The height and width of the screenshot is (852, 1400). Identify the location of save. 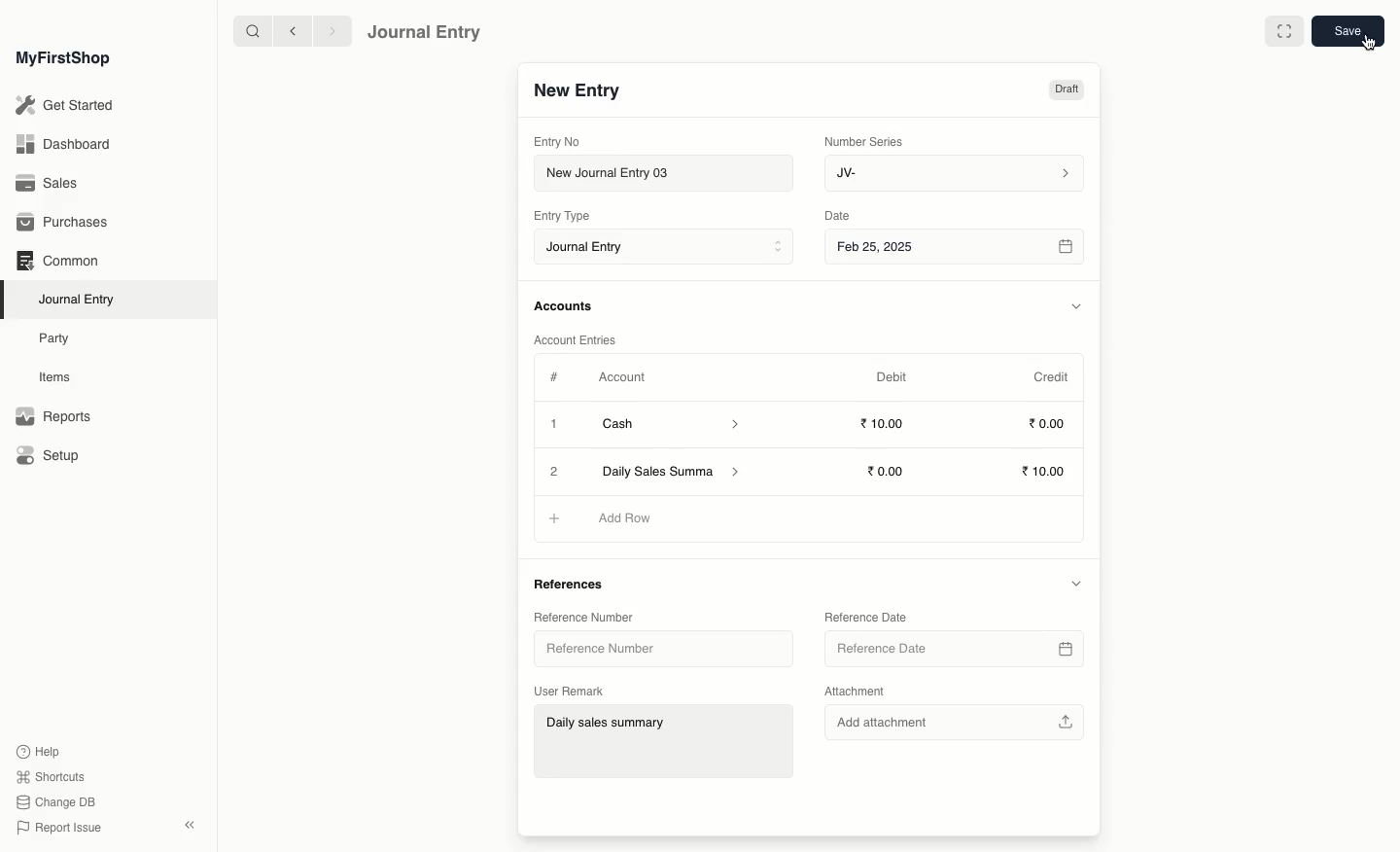
(1347, 32).